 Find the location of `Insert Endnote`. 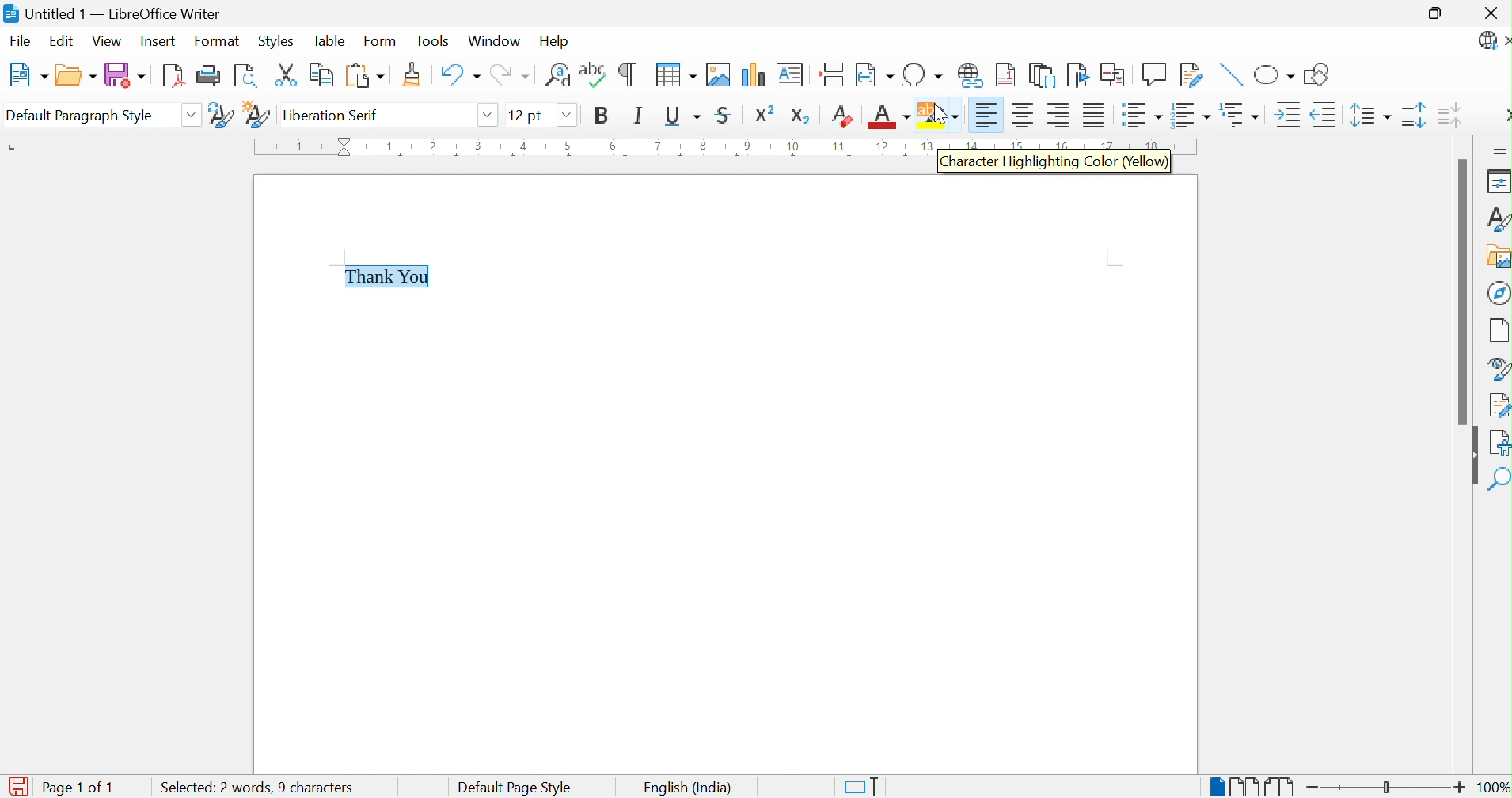

Insert Endnote is located at coordinates (1042, 77).